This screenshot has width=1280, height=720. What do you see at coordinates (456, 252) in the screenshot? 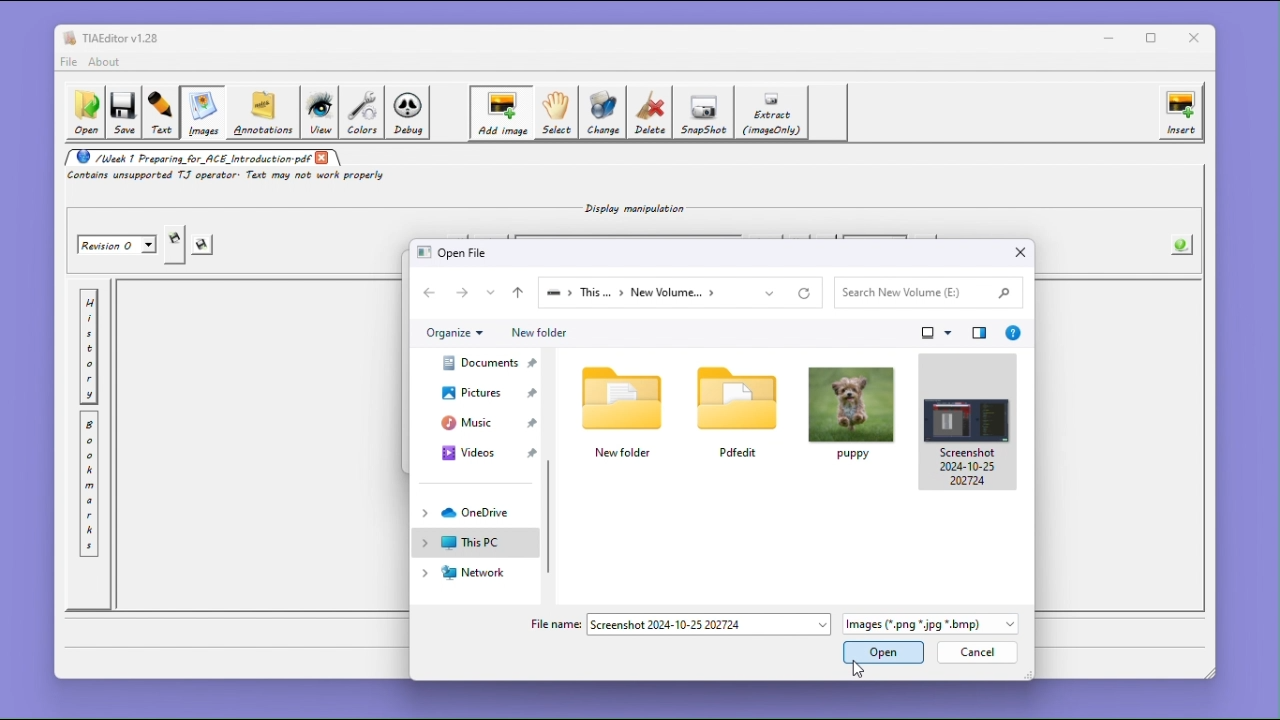
I see `Open File` at bounding box center [456, 252].